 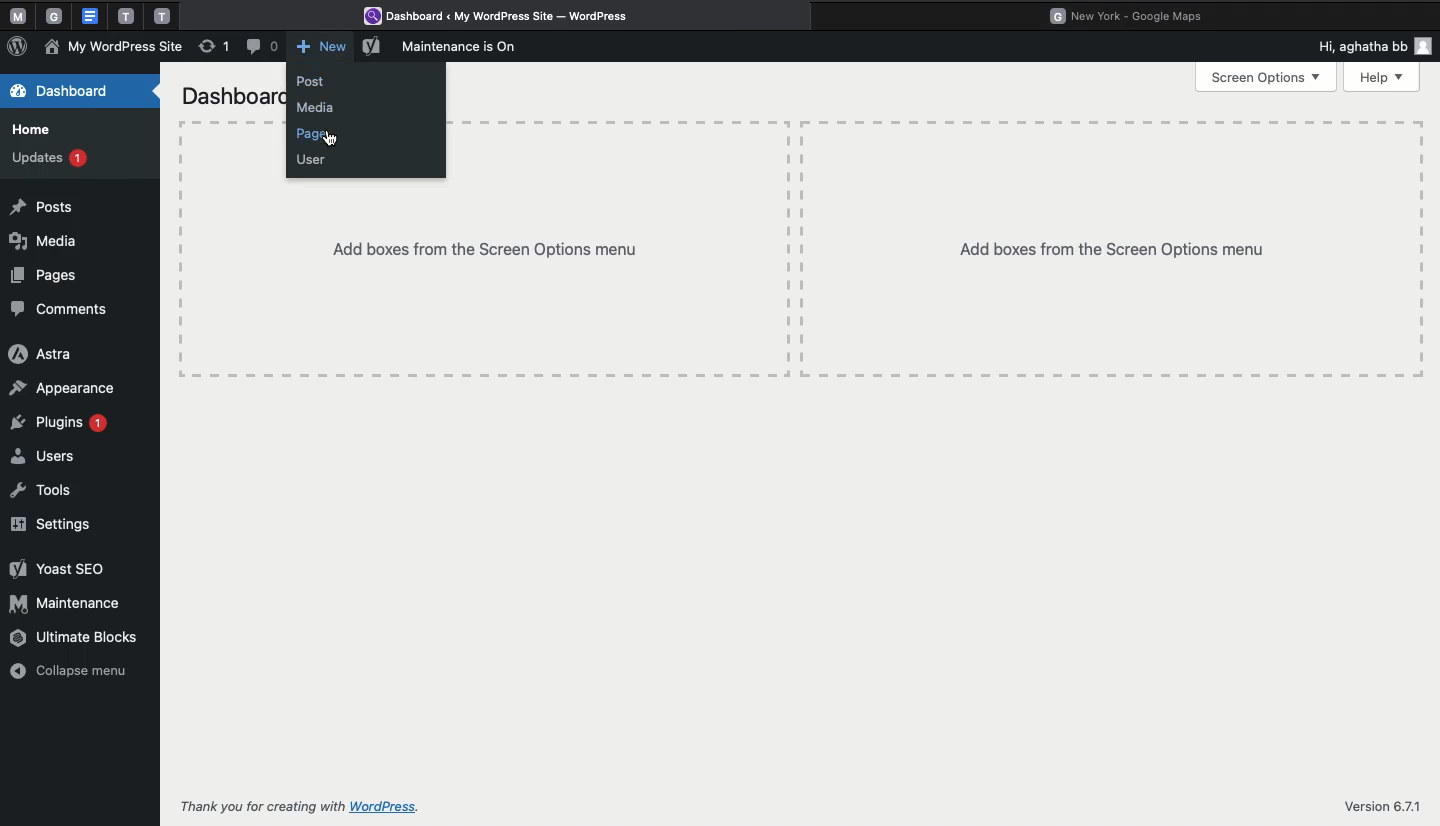 I want to click on Astra, so click(x=40, y=355).